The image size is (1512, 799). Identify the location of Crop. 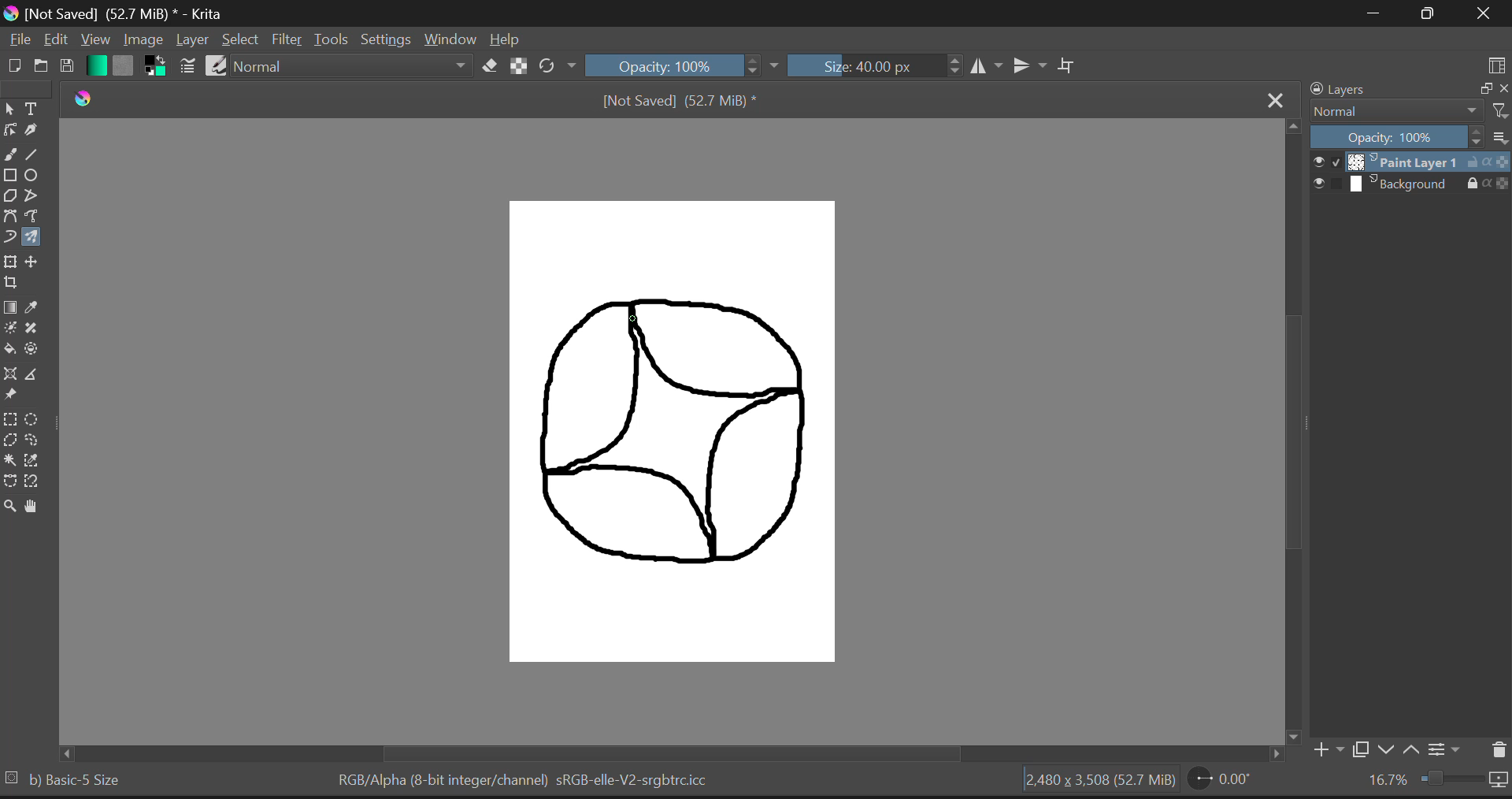
(1069, 65).